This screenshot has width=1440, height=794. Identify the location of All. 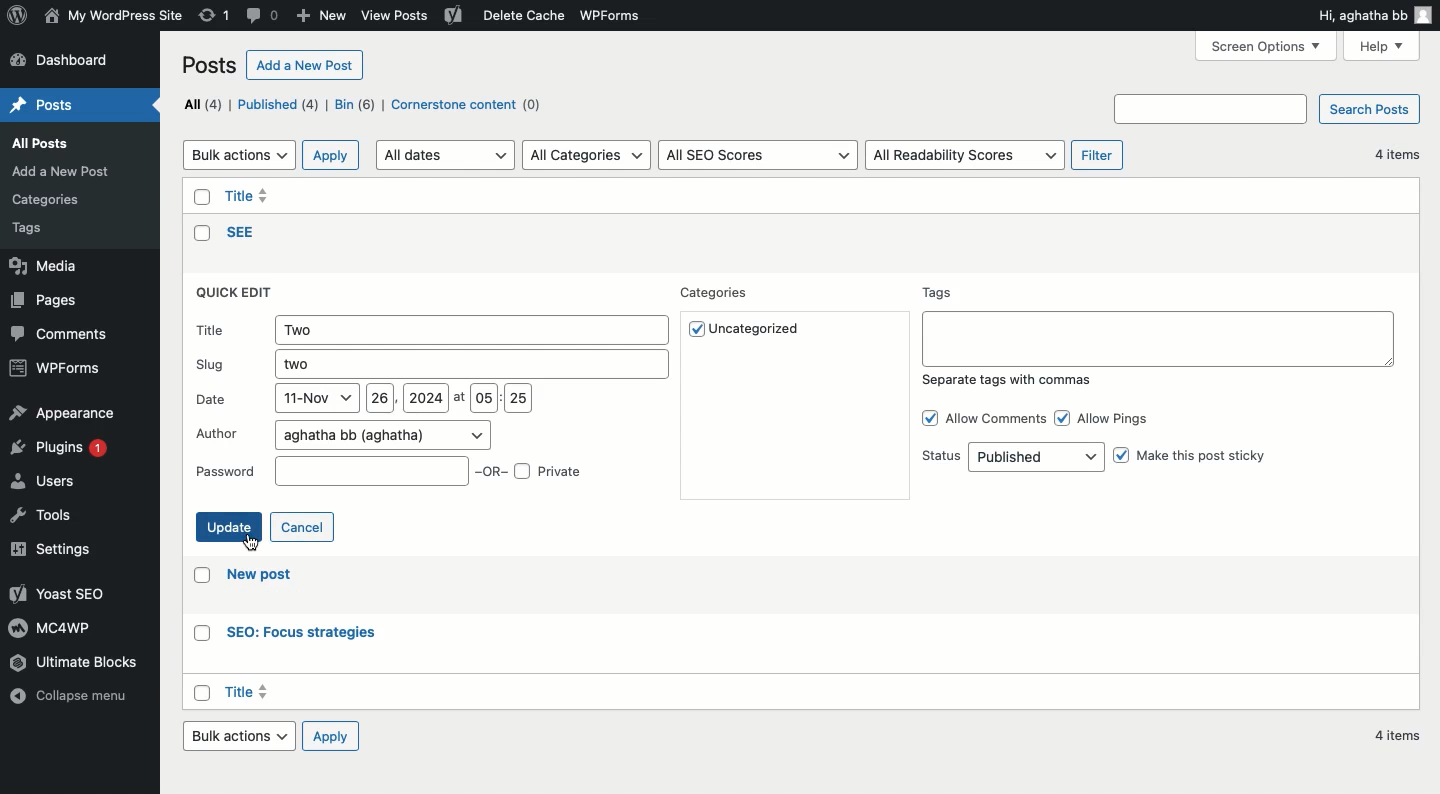
(202, 103).